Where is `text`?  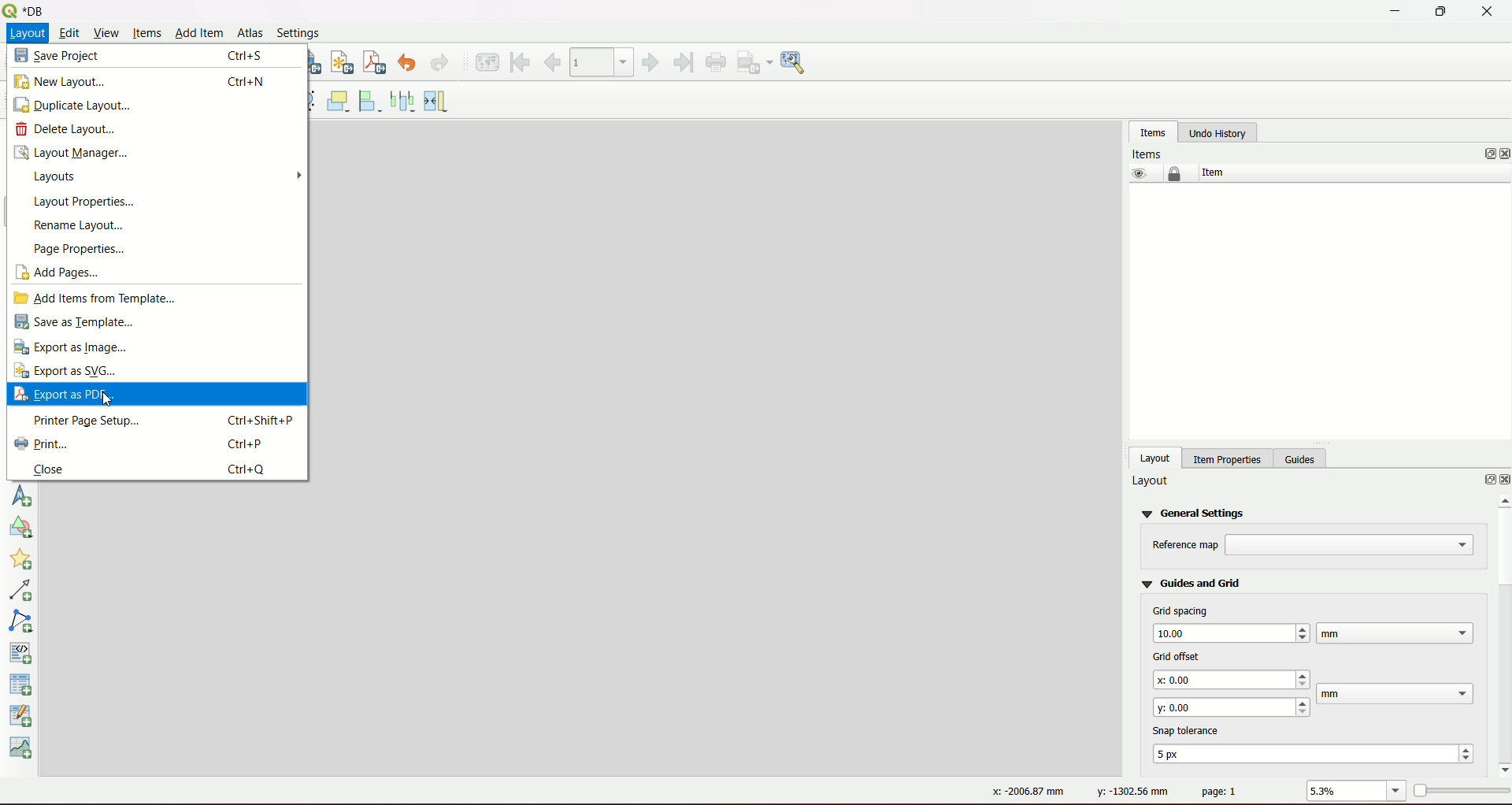
text is located at coordinates (1185, 545).